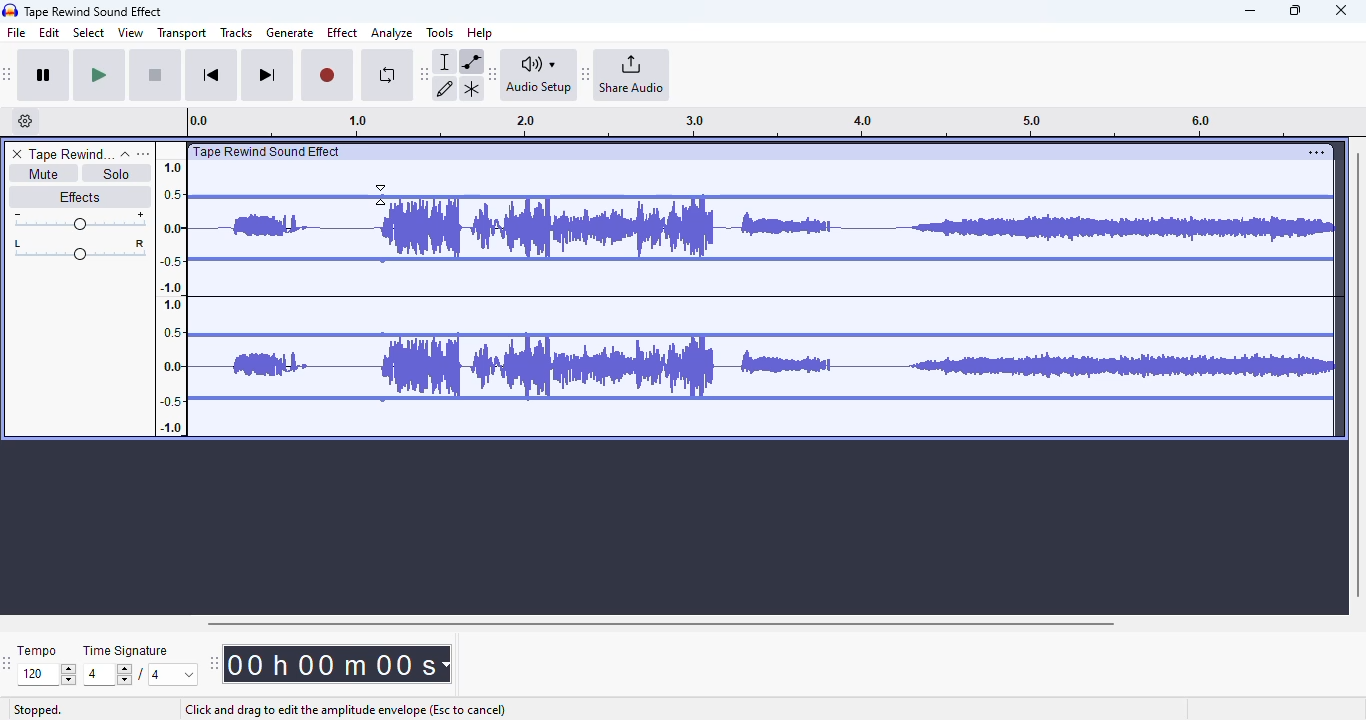 This screenshot has width=1366, height=720. Describe the element at coordinates (386, 75) in the screenshot. I see `enable looping` at that location.